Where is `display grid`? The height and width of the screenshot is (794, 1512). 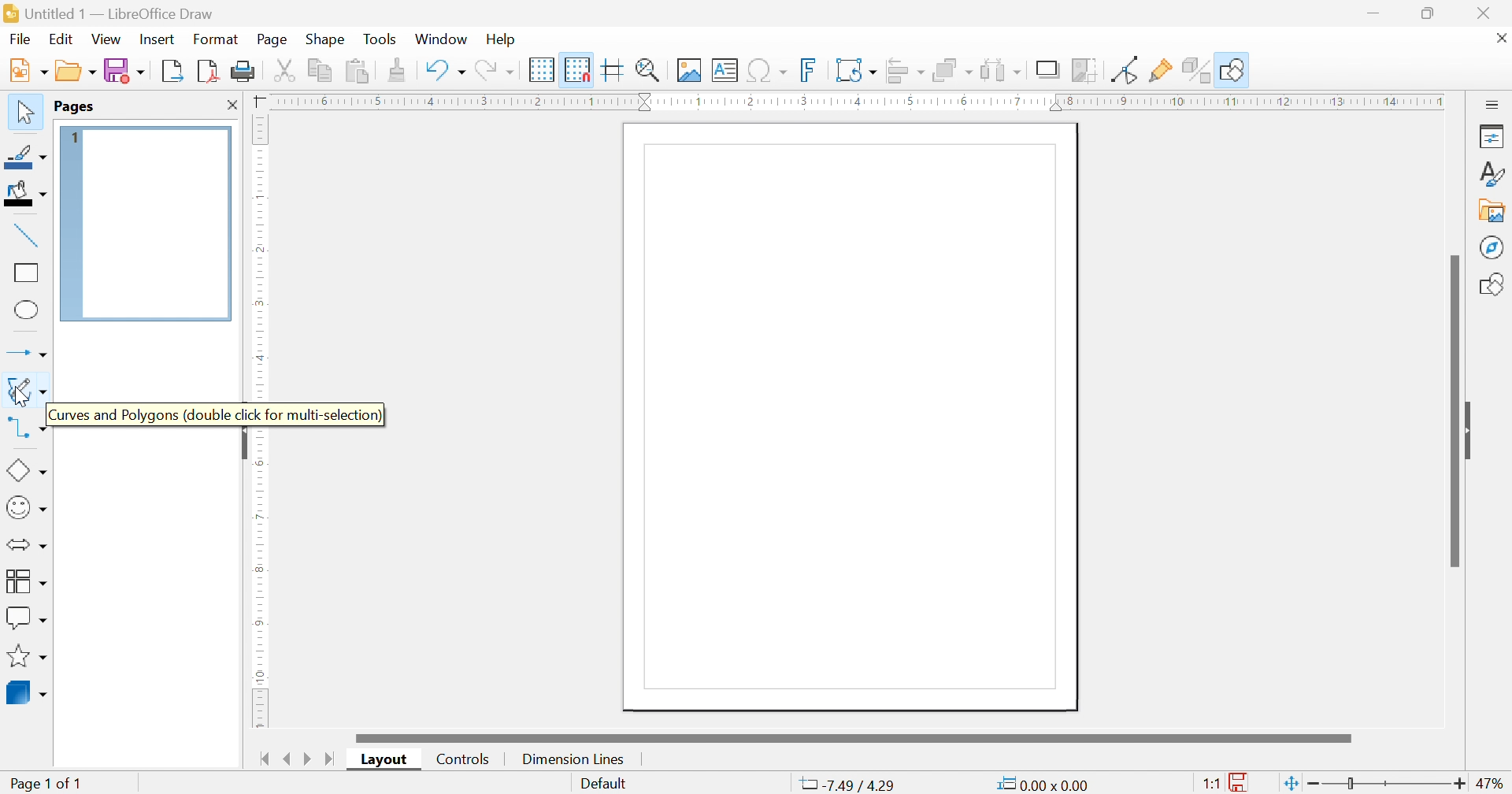 display grid is located at coordinates (542, 70).